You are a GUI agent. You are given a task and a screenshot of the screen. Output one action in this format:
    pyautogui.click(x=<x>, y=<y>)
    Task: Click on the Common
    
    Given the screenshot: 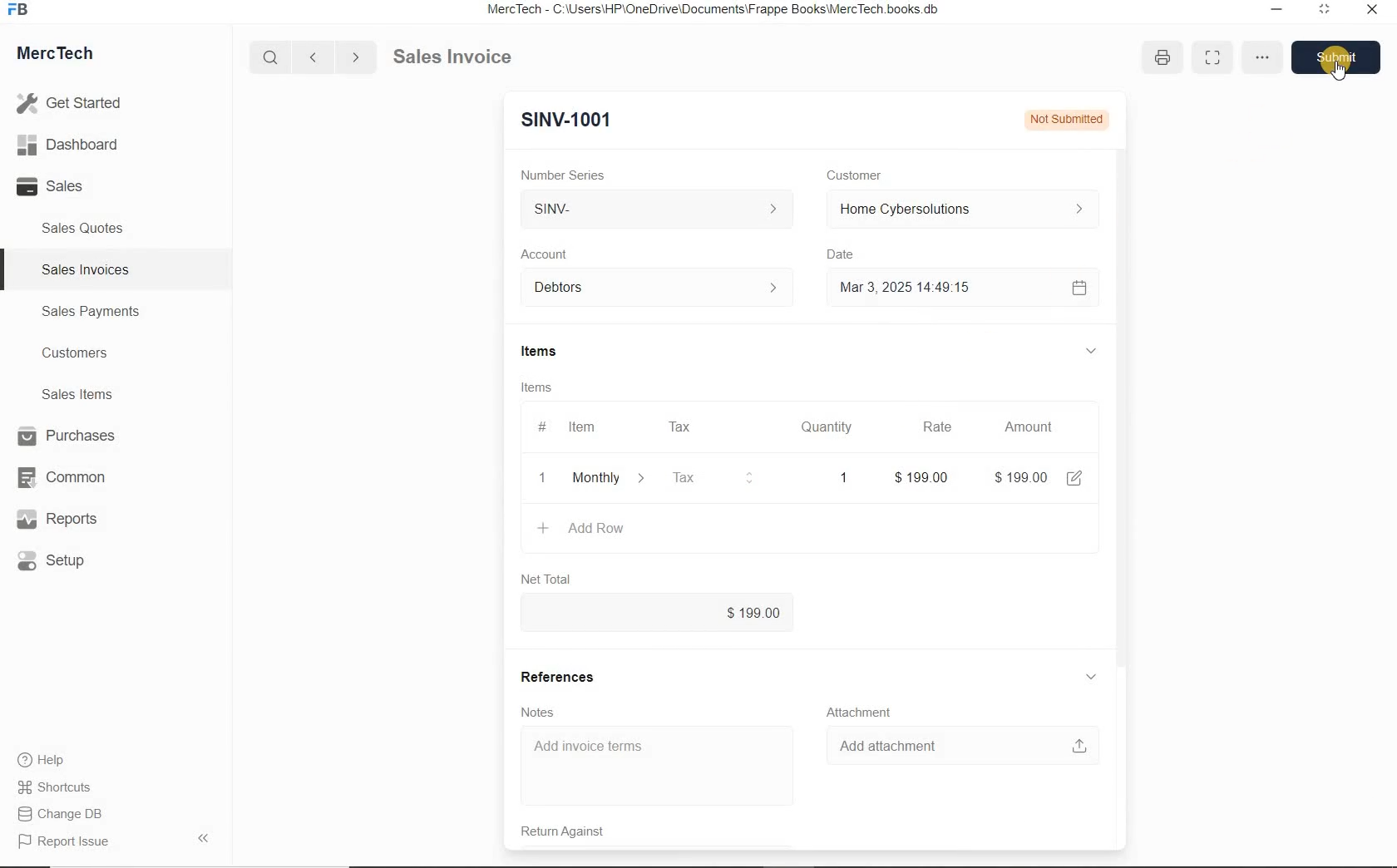 What is the action you would take?
    pyautogui.click(x=69, y=476)
    